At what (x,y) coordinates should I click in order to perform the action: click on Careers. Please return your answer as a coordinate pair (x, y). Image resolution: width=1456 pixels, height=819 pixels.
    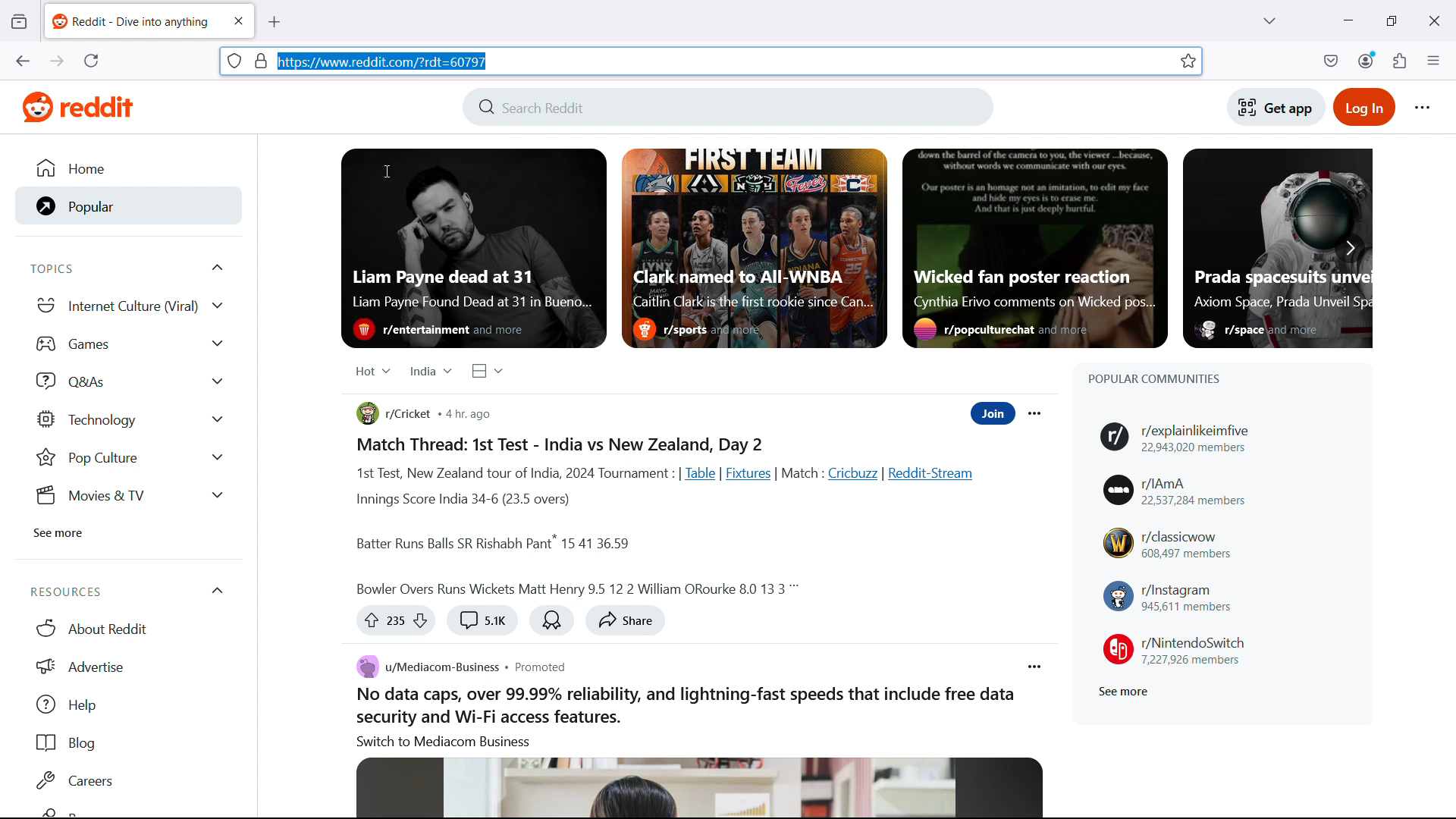
    Looking at the image, I should click on (126, 781).